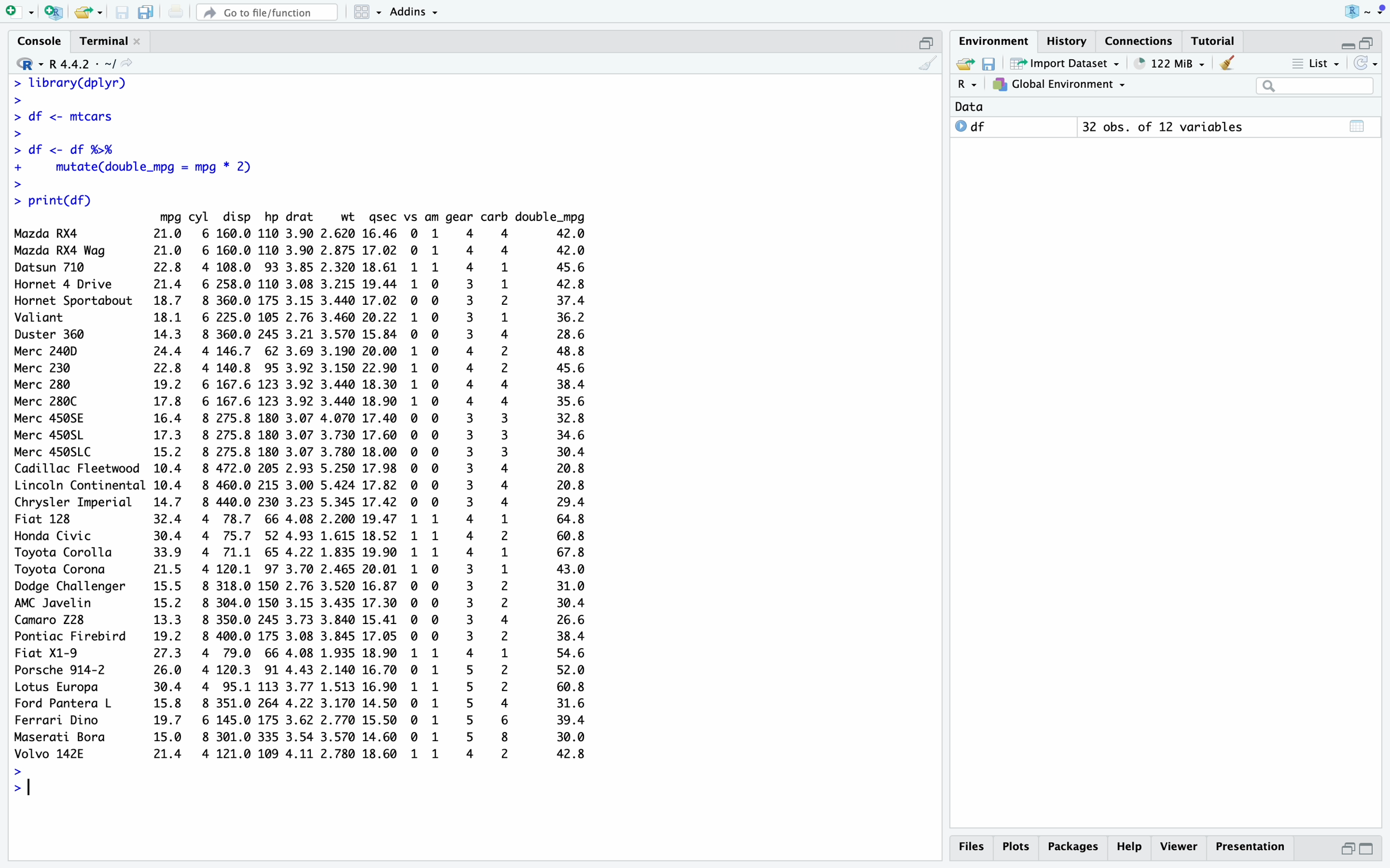 The width and height of the screenshot is (1390, 868). What do you see at coordinates (1316, 64) in the screenshot?
I see `list` at bounding box center [1316, 64].